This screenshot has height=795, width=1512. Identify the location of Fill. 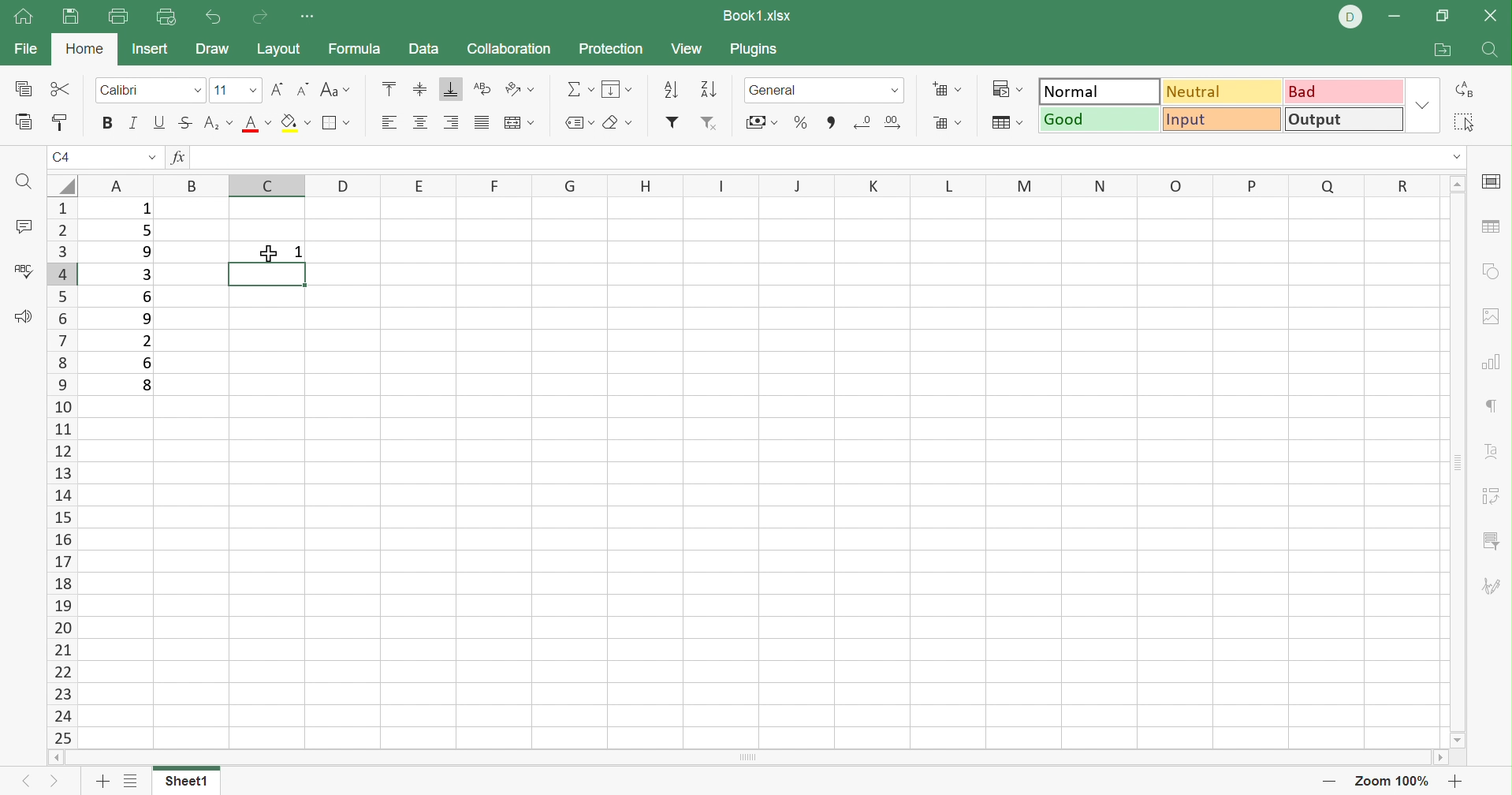
(296, 125).